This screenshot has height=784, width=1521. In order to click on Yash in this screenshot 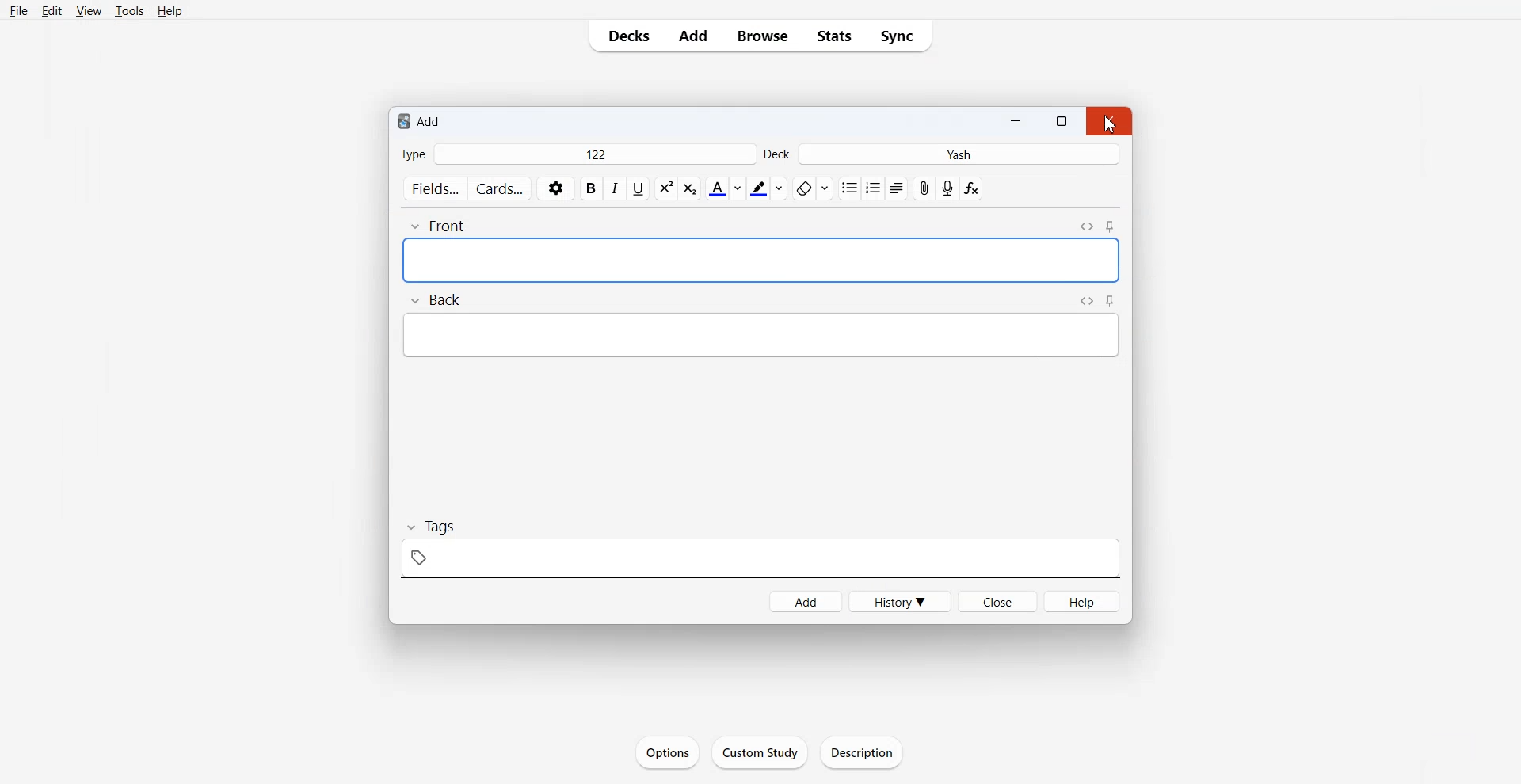, I will do `click(958, 154)`.